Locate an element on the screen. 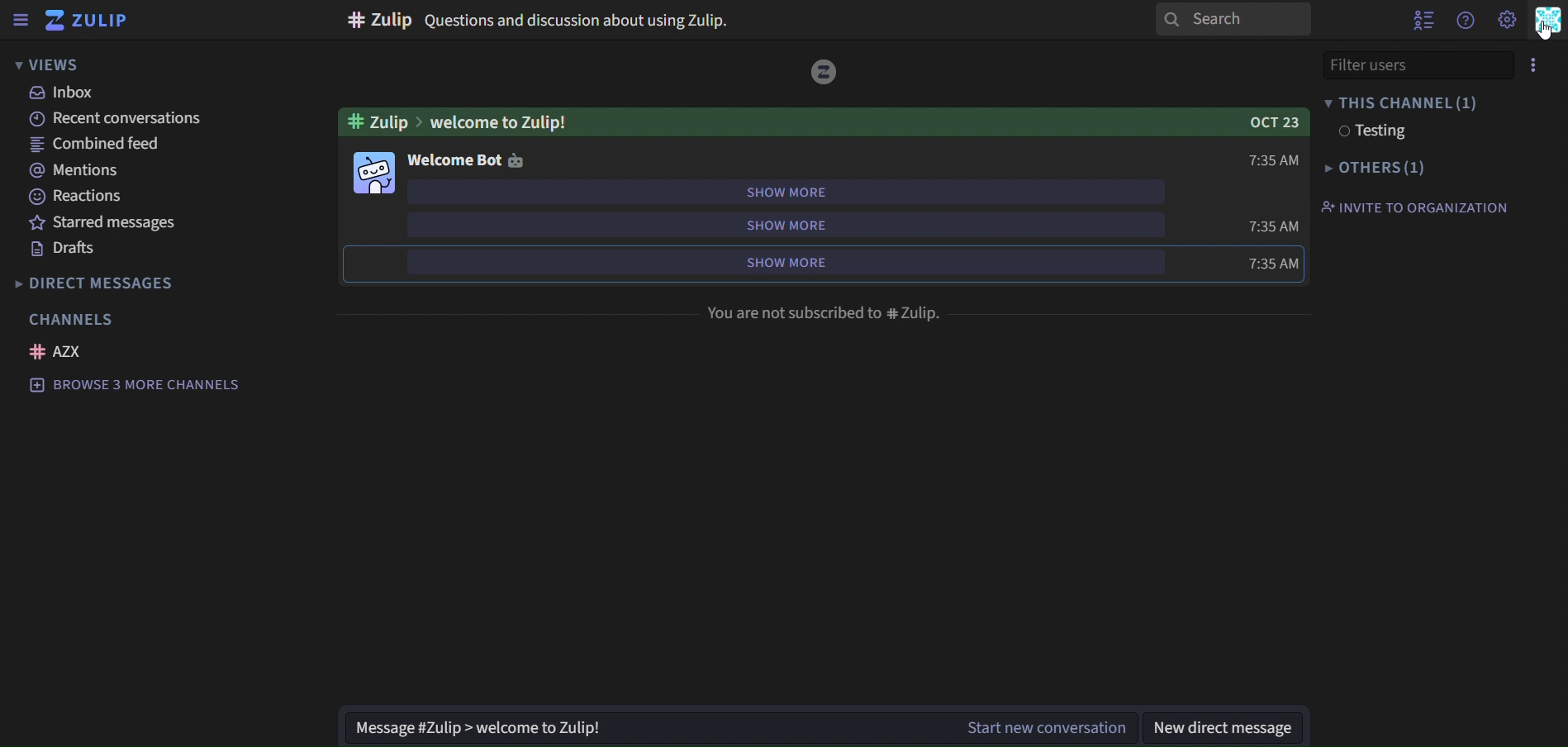 The image size is (1568, 747). filter users is located at coordinates (1411, 64).